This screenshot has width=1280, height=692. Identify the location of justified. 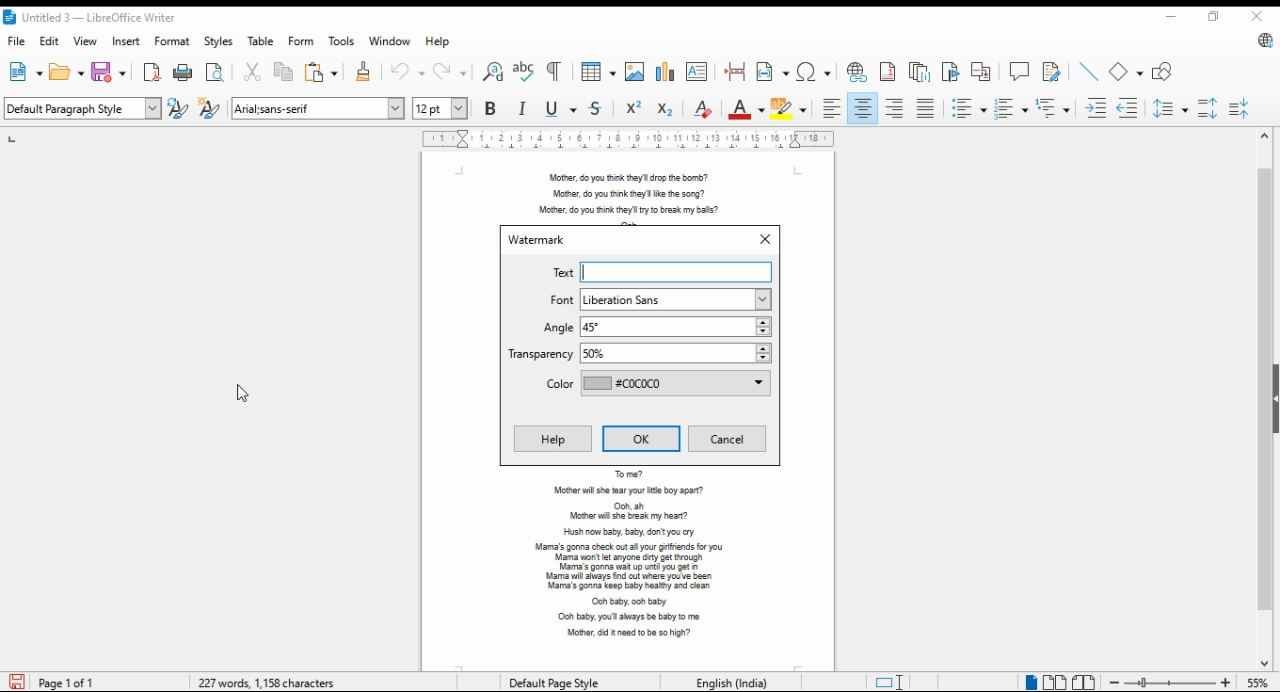
(927, 108).